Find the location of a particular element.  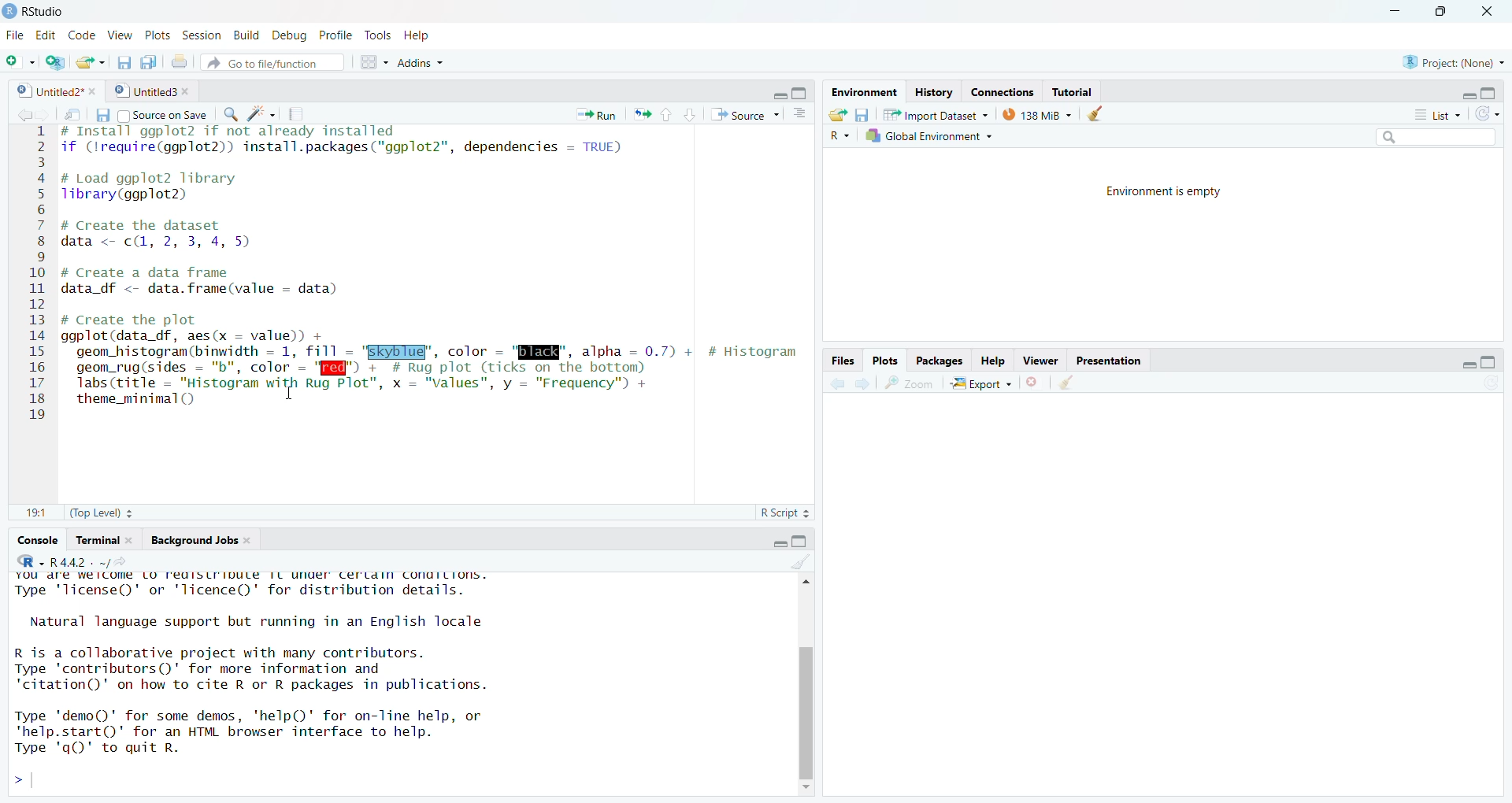

New File is located at coordinates (18, 62).